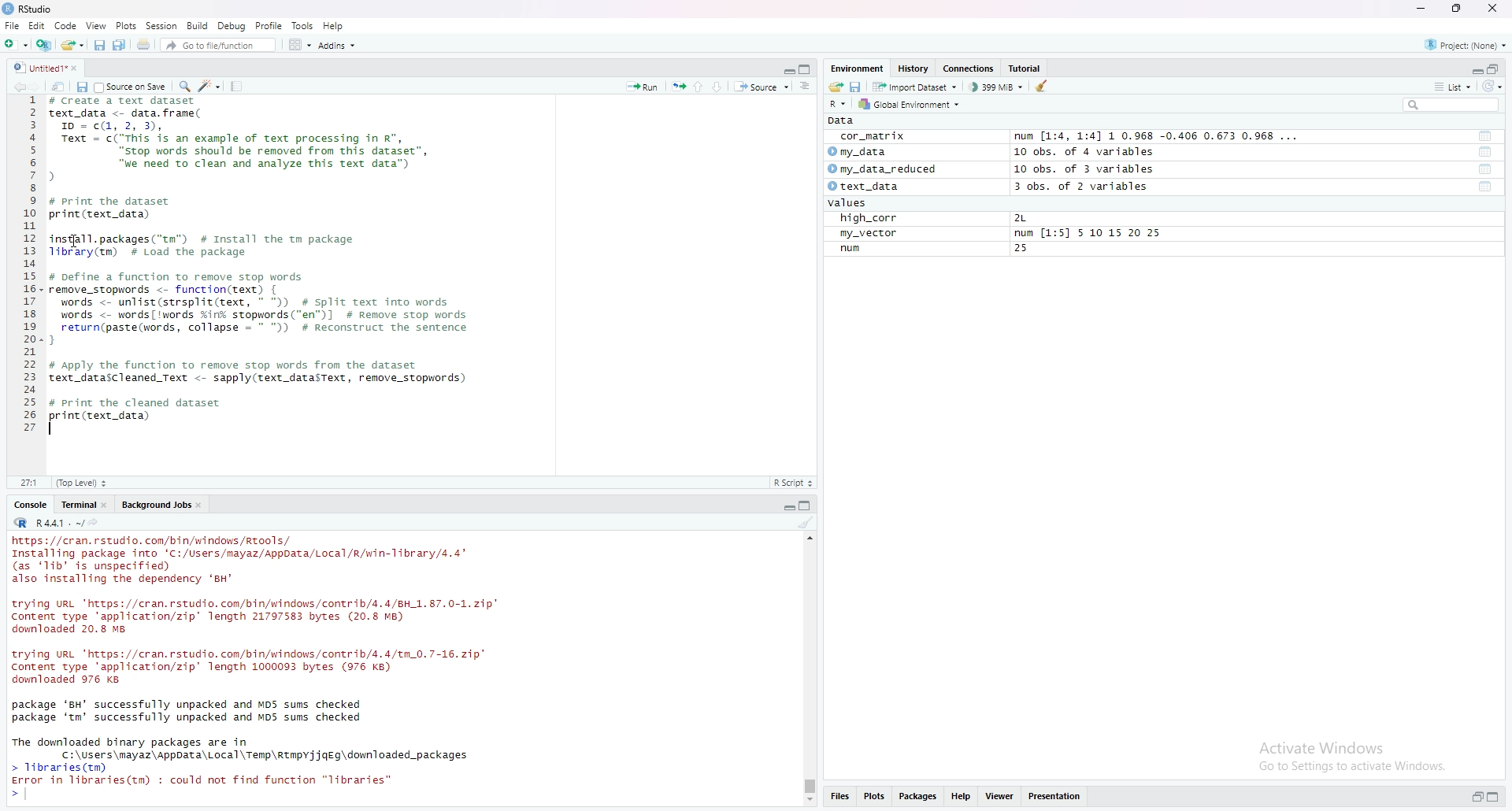 This screenshot has width=1512, height=811. I want to click on maximize, so click(1454, 8).